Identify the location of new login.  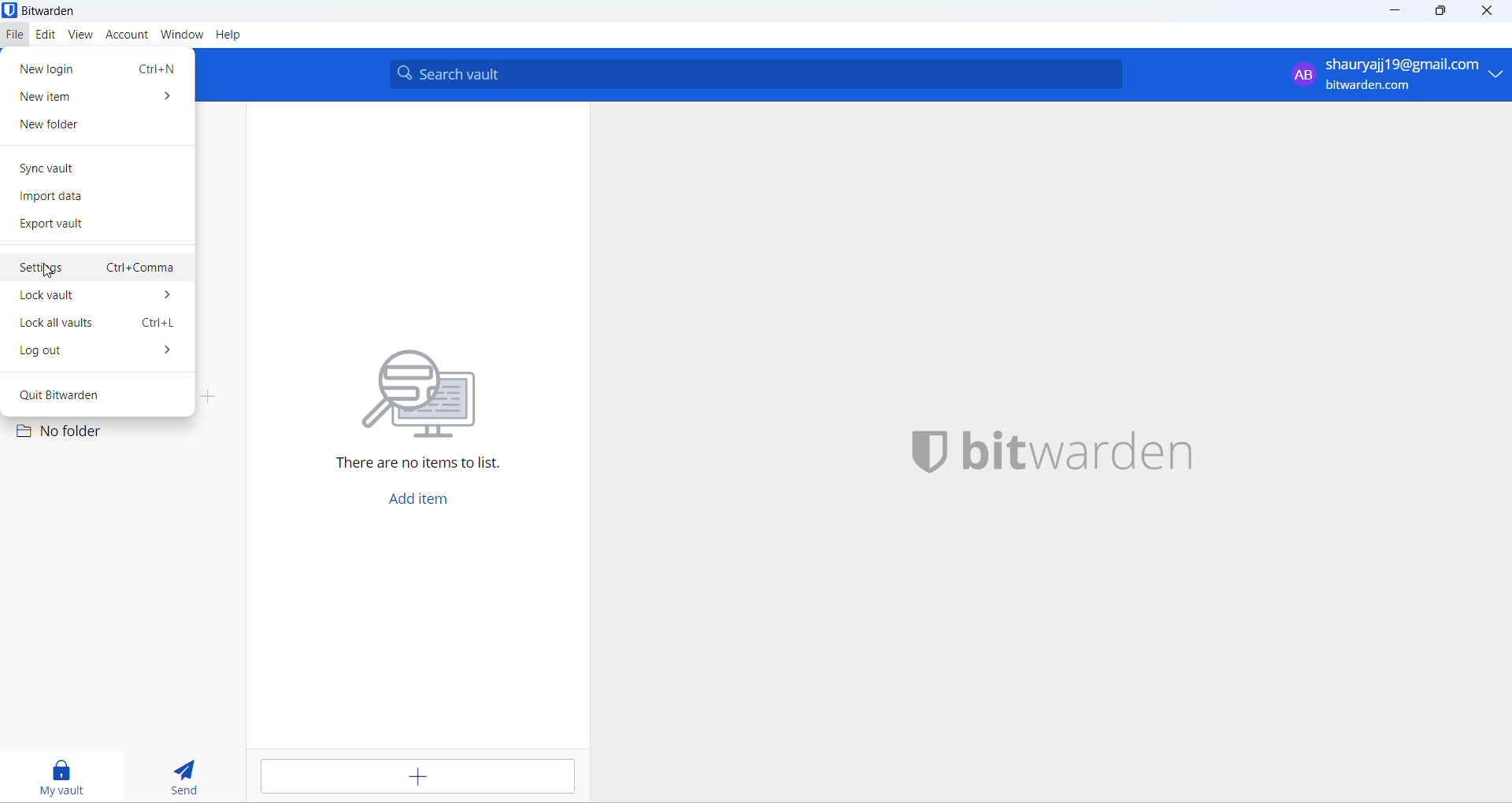
(93, 69).